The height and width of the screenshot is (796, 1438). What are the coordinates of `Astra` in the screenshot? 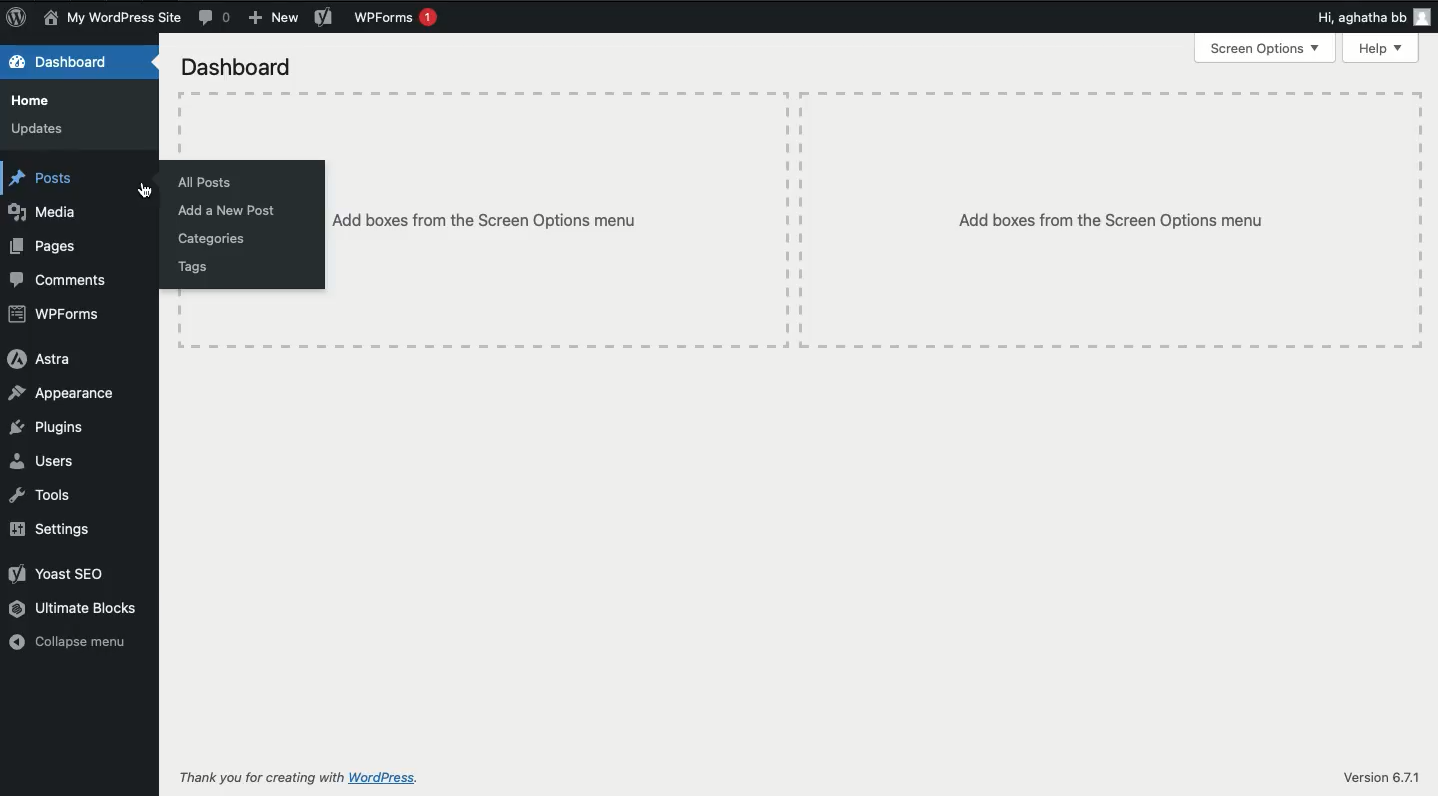 It's located at (39, 359).